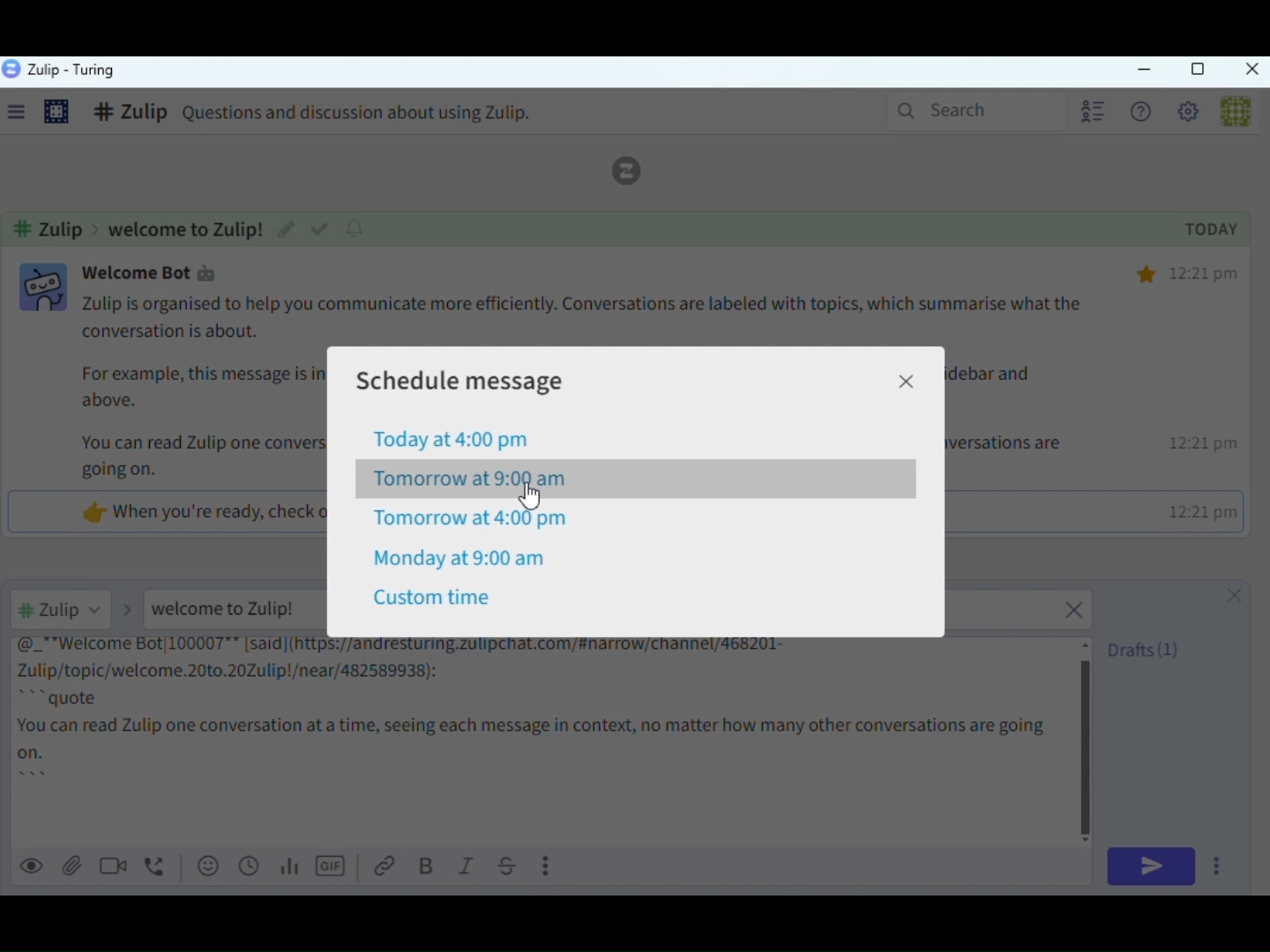 This screenshot has width=1270, height=952. I want to click on Close, so click(1251, 71).